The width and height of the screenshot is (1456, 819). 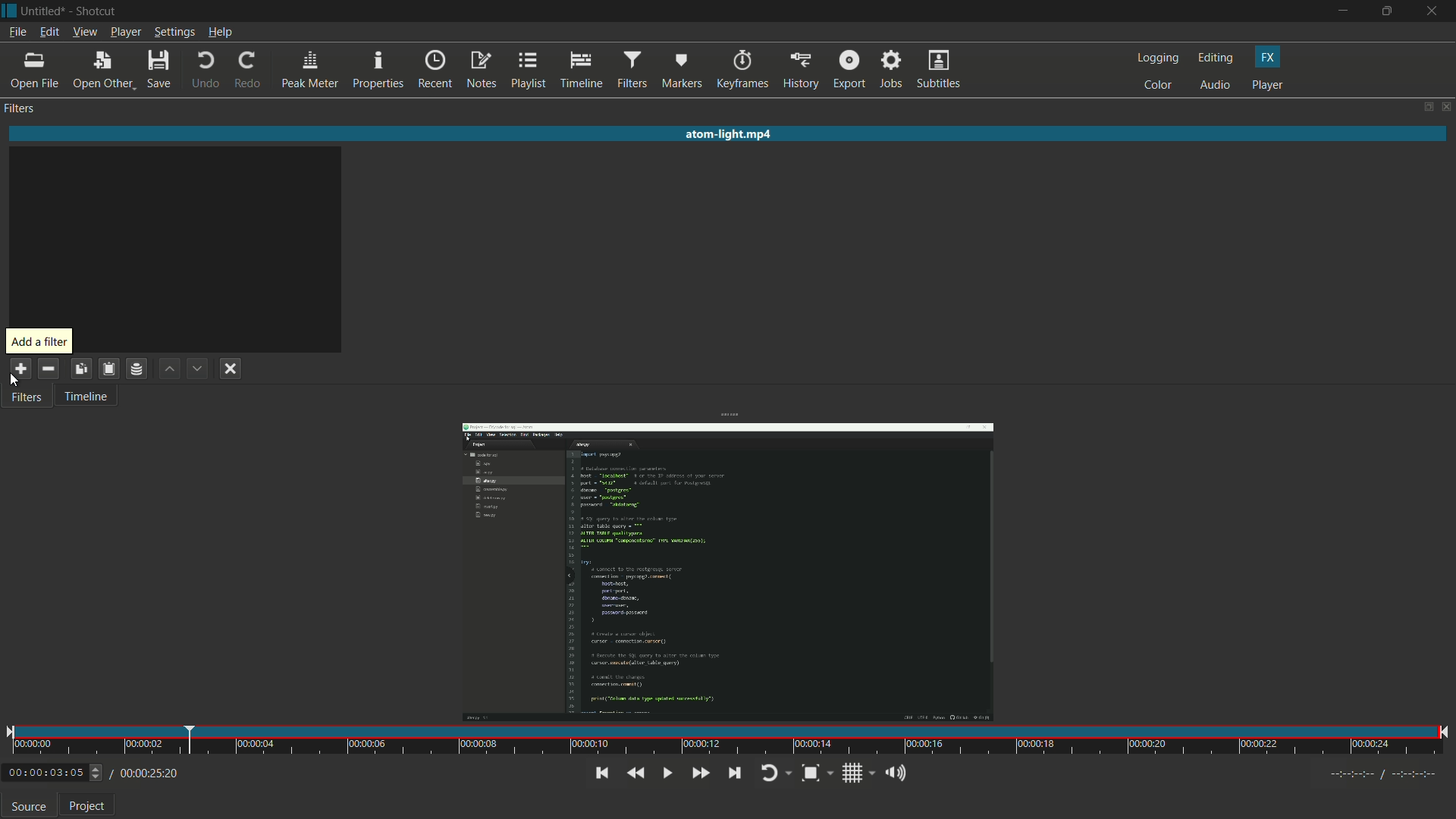 I want to click on source, so click(x=29, y=806).